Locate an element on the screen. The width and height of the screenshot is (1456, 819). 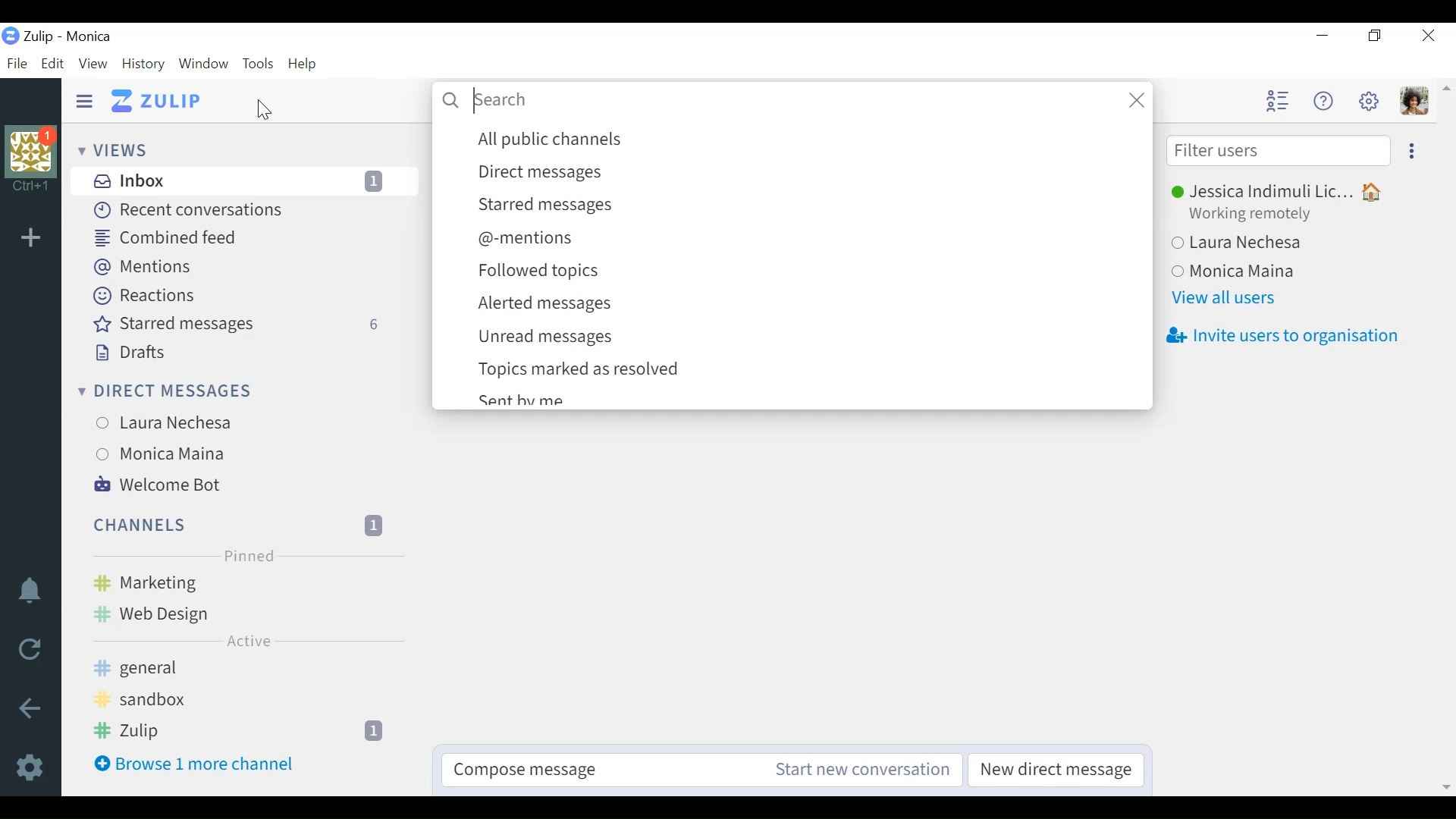
Channel is located at coordinates (246, 672).